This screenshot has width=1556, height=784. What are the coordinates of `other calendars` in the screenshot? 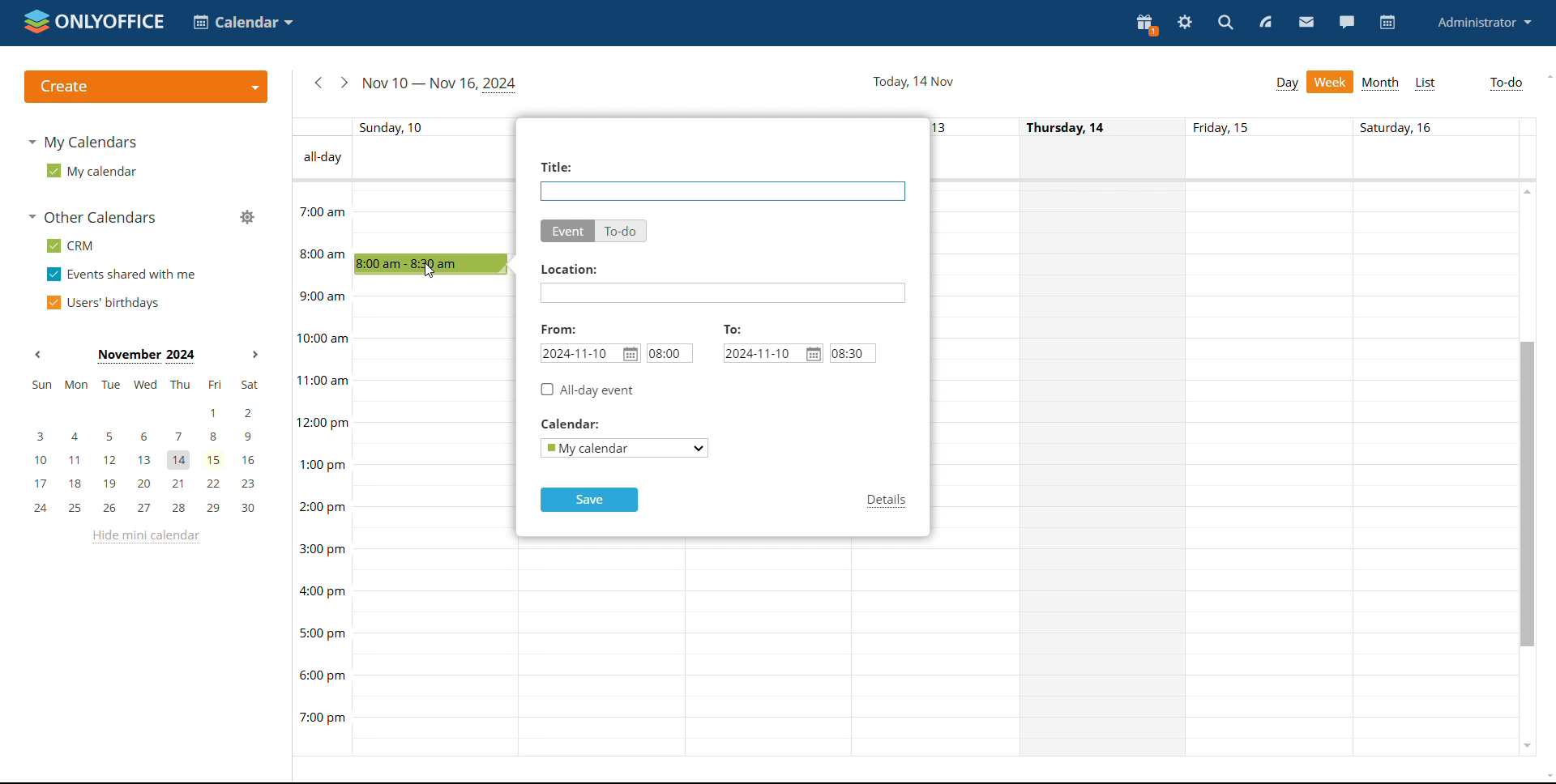 It's located at (91, 219).